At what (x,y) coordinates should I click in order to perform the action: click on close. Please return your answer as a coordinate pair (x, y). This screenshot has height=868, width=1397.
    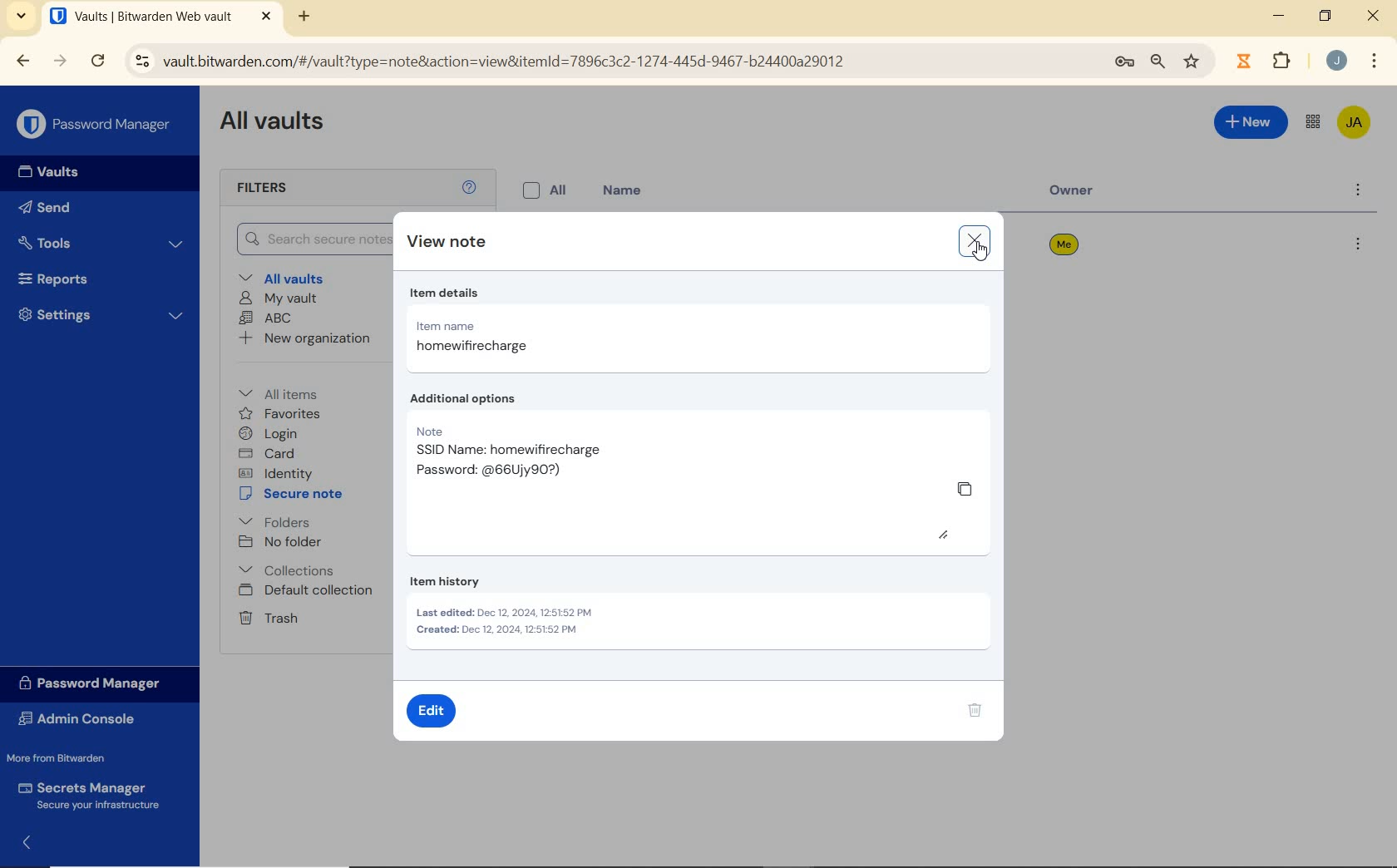
    Looking at the image, I should click on (975, 241).